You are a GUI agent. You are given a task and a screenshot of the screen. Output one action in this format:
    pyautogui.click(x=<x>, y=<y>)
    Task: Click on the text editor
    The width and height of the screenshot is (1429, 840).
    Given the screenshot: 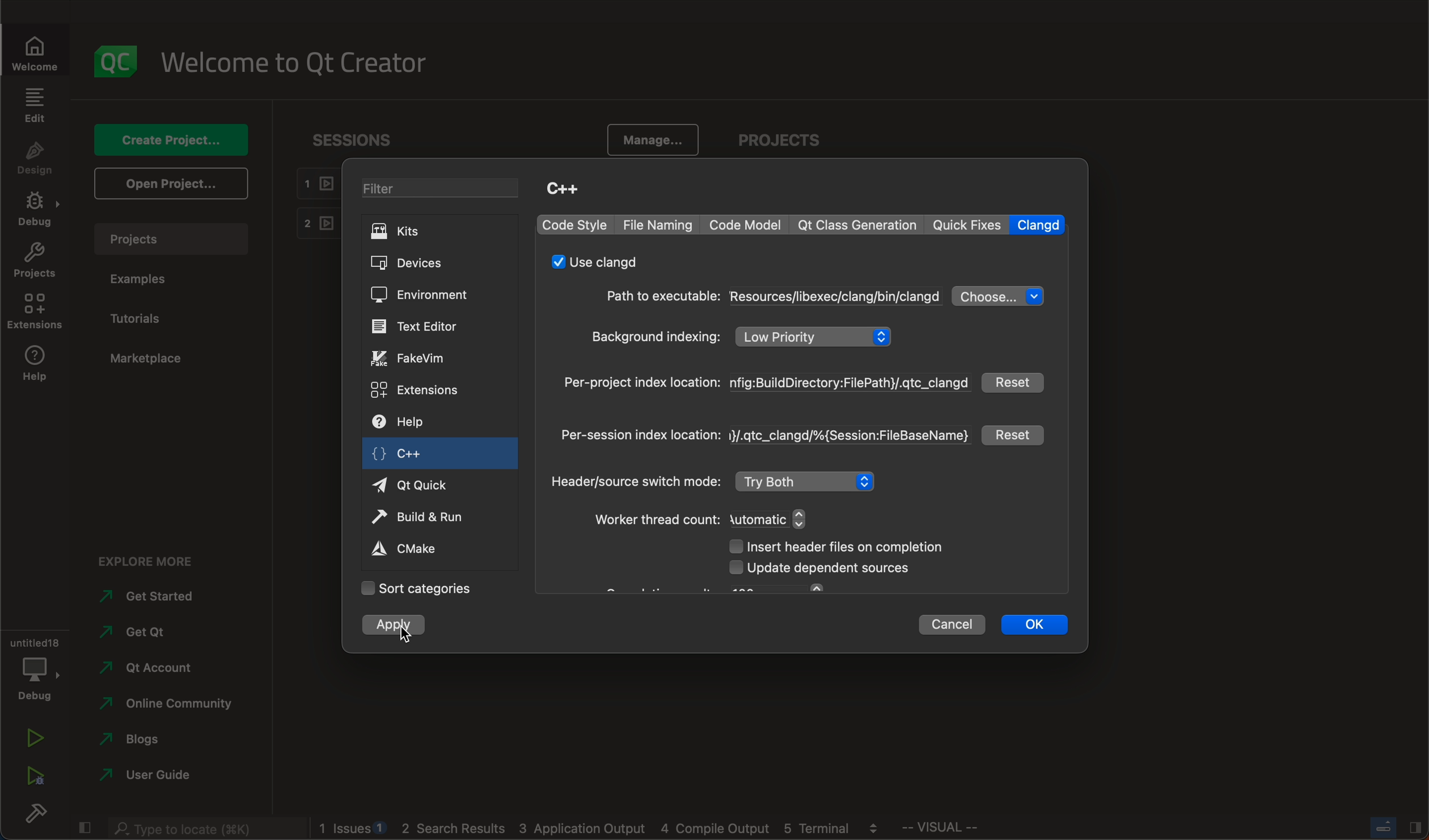 What is the action you would take?
    pyautogui.click(x=431, y=327)
    